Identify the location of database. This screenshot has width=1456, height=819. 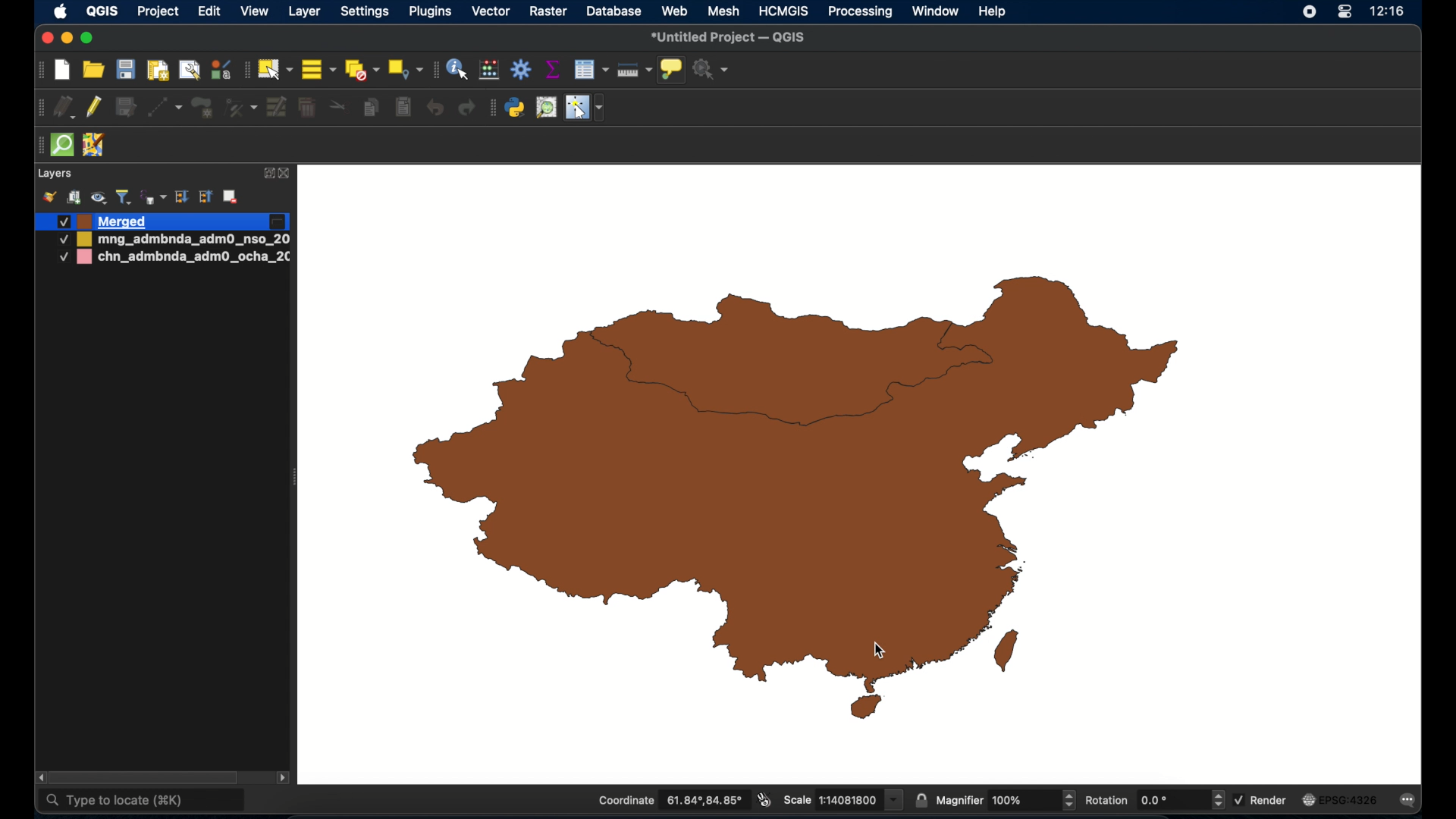
(614, 12).